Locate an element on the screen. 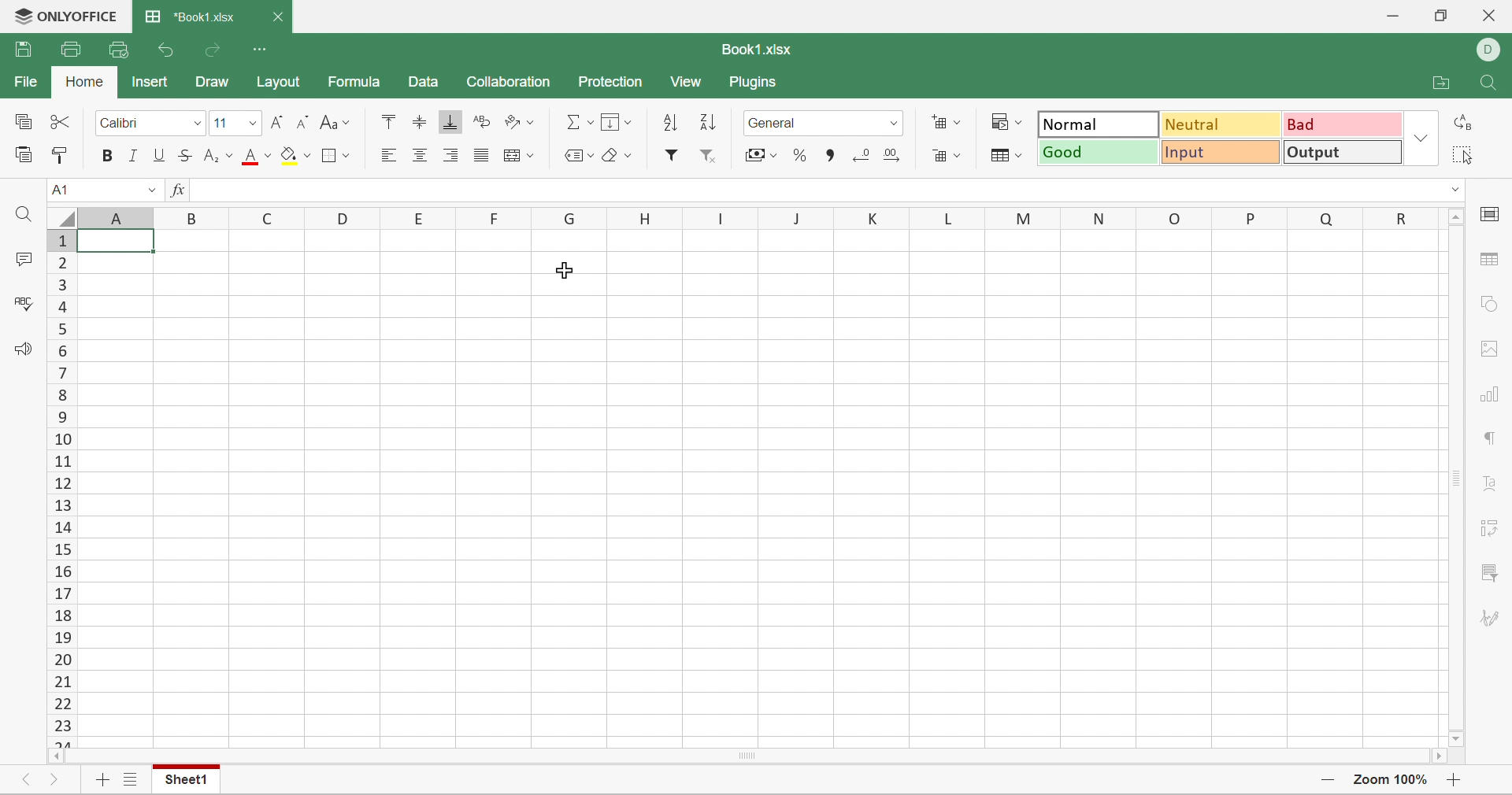 This screenshot has width=1512, height=795. Restore down is located at coordinates (1442, 15).